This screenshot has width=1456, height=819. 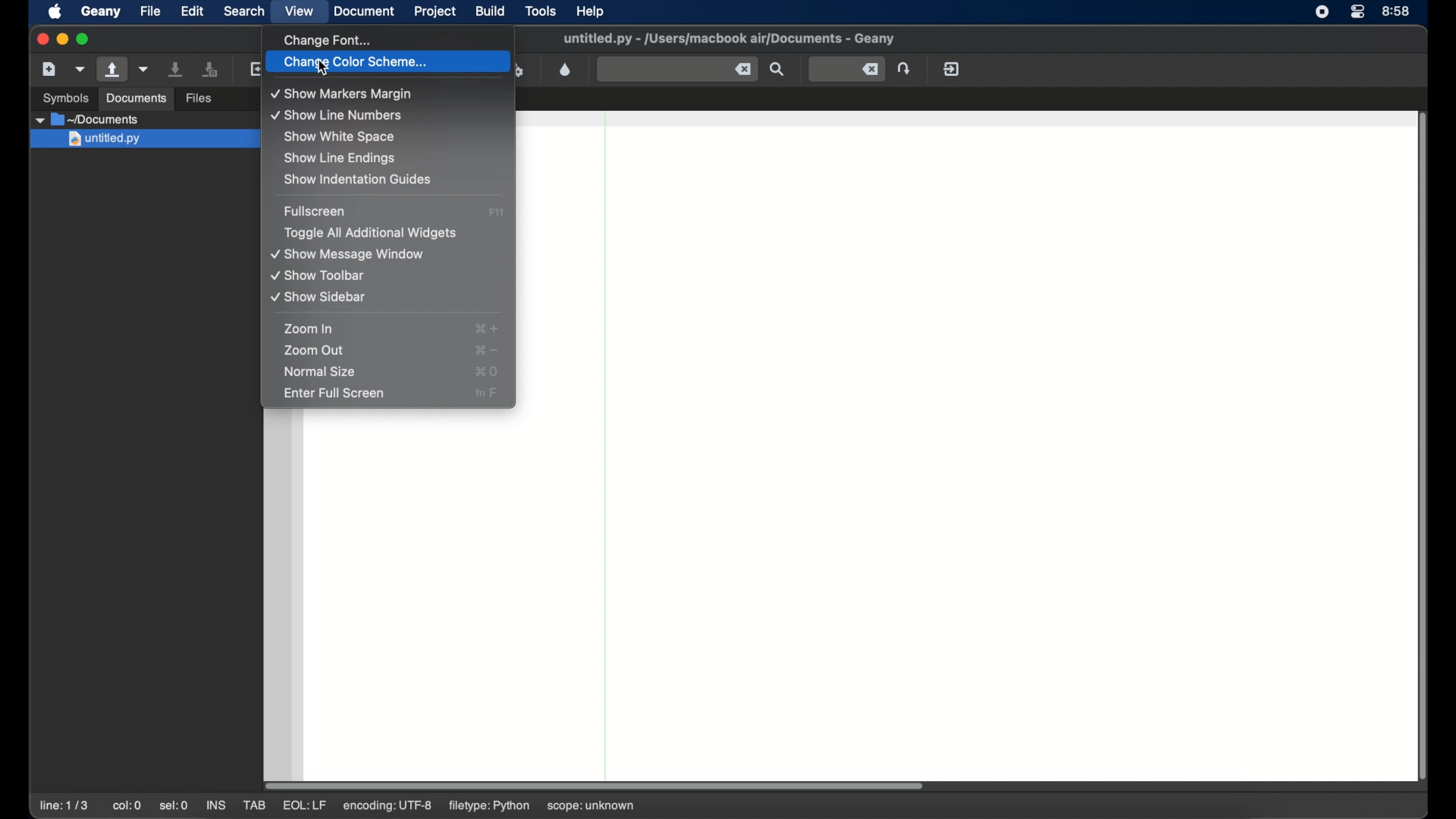 What do you see at coordinates (541, 11) in the screenshot?
I see `tools` at bounding box center [541, 11].